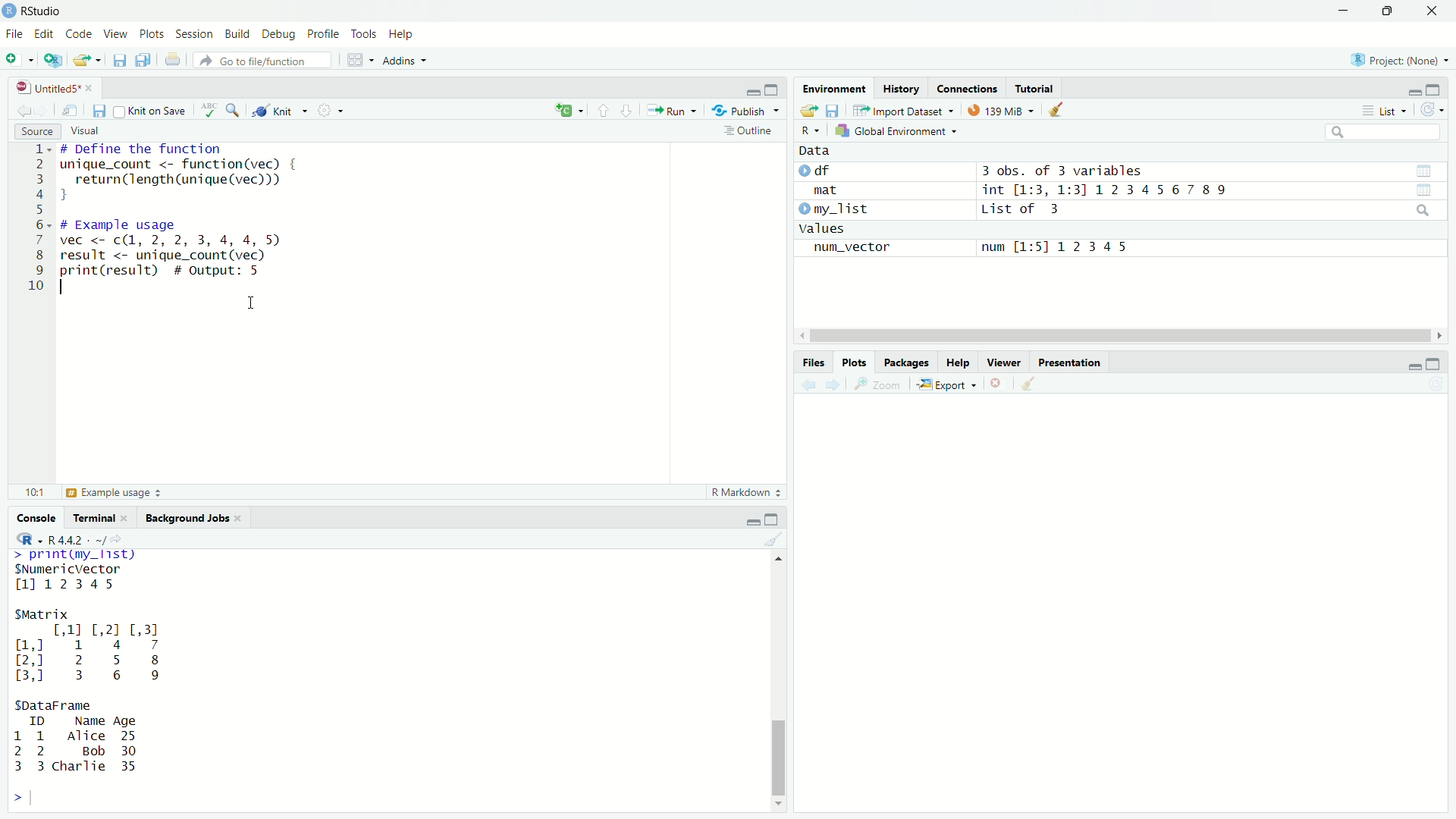 The height and width of the screenshot is (819, 1456). Describe the element at coordinates (750, 92) in the screenshot. I see `minimize` at that location.